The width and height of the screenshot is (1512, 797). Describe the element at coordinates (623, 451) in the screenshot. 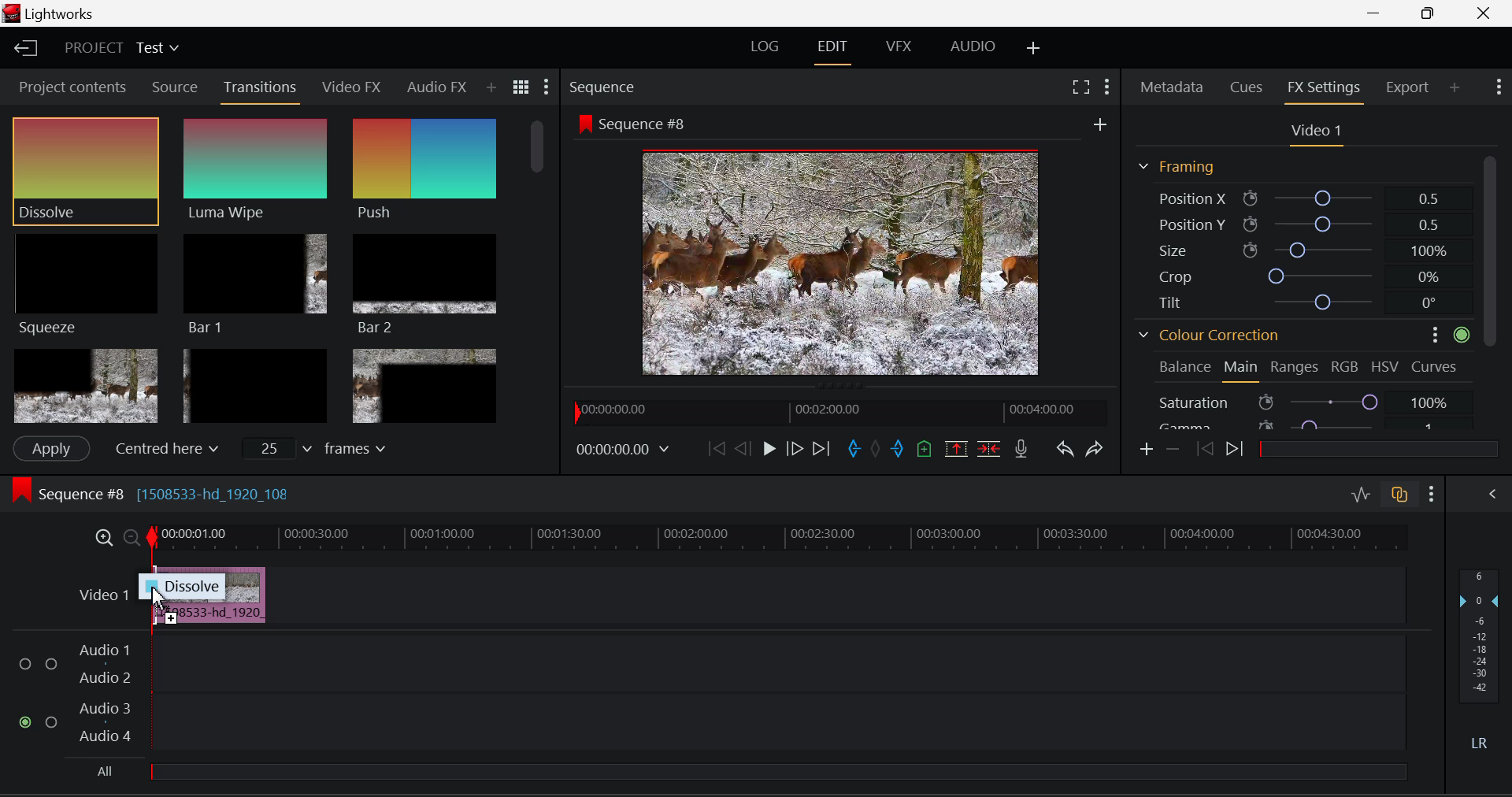

I see `Frame Time` at that location.